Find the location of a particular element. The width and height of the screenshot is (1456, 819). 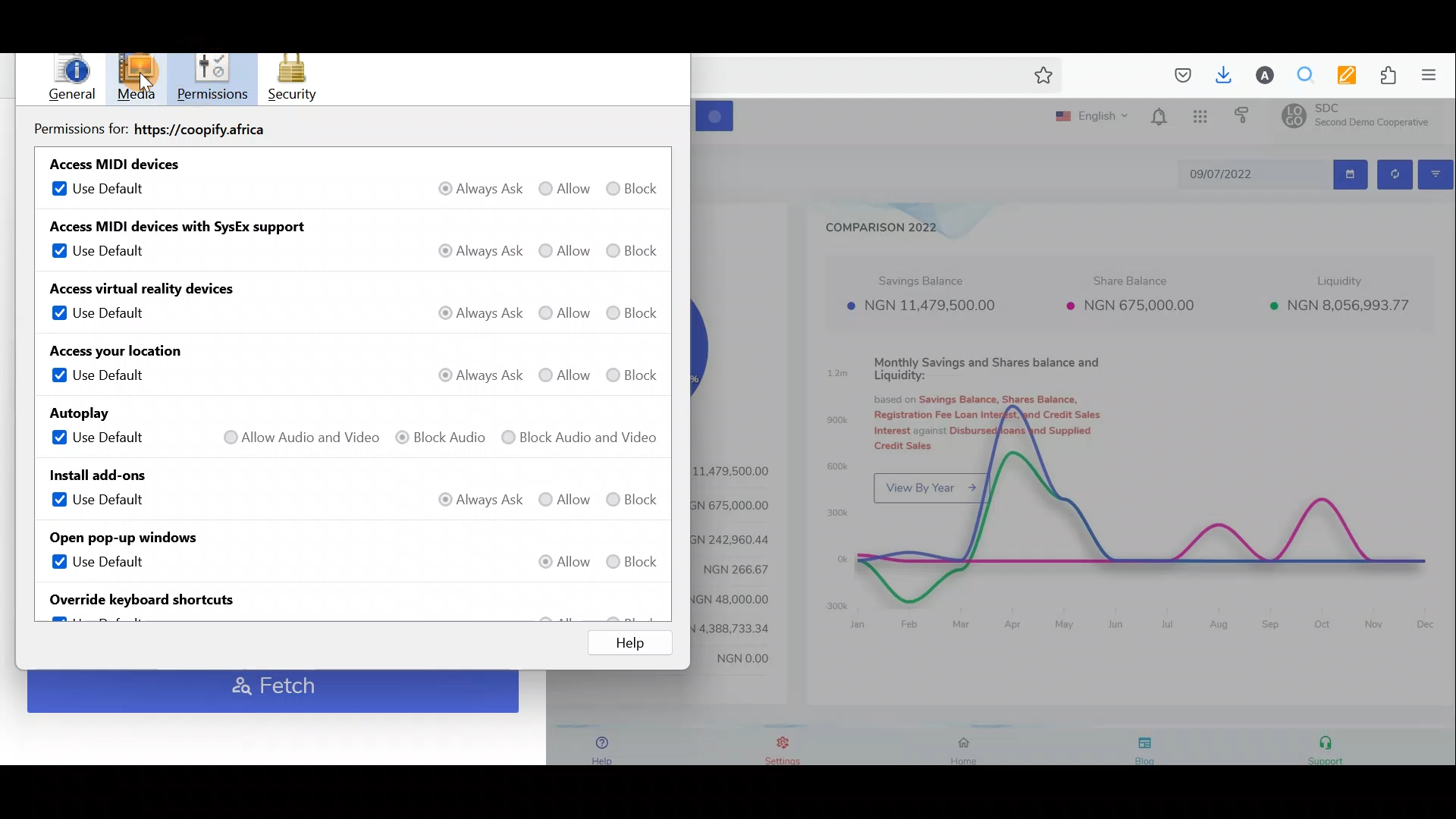

Always ask is located at coordinates (477, 373).